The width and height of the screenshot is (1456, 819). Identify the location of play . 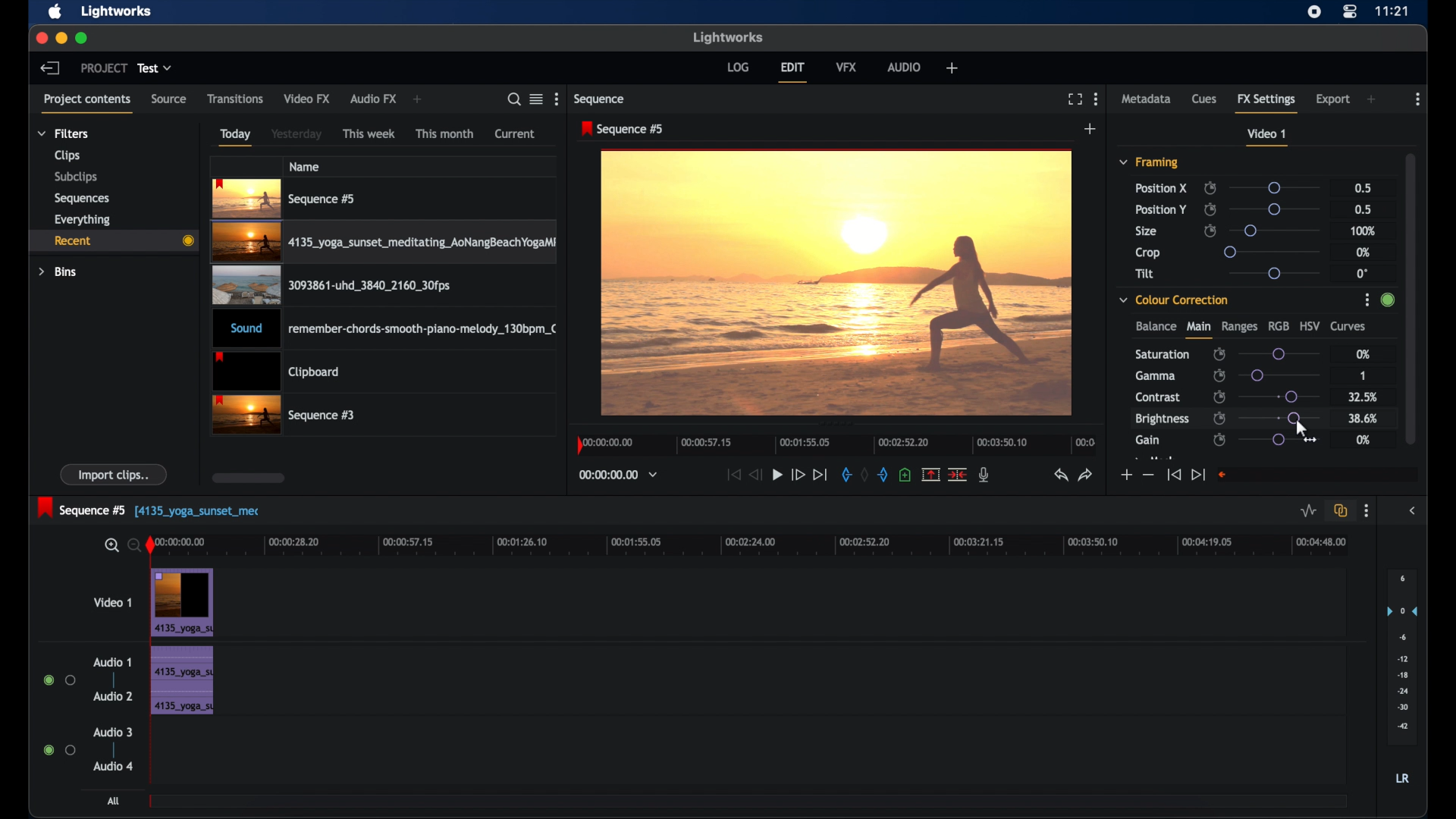
(777, 475).